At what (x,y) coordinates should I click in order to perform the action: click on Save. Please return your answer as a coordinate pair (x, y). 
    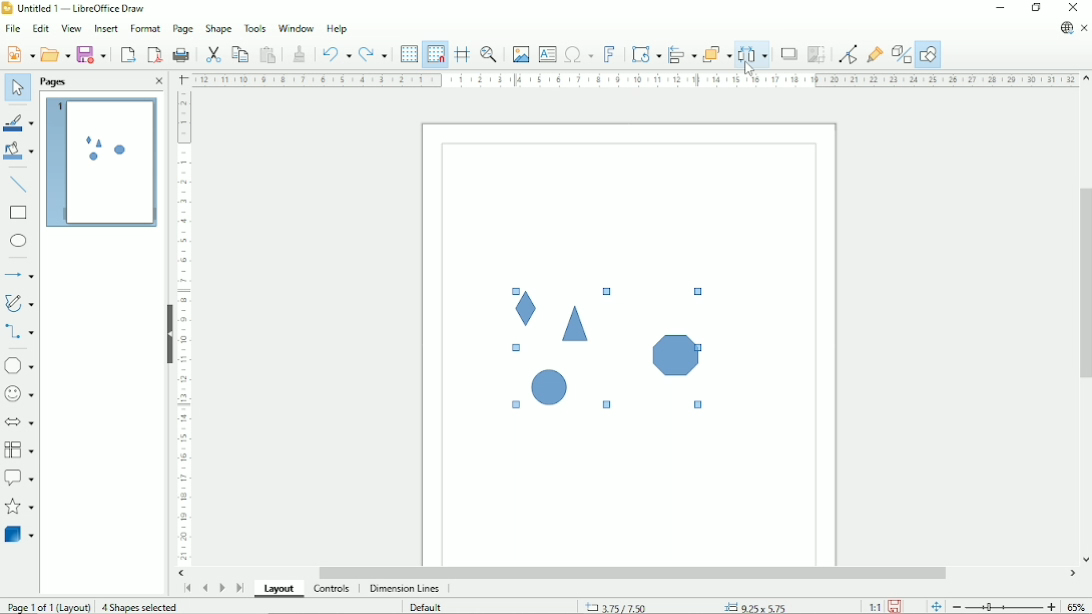
    Looking at the image, I should click on (92, 54).